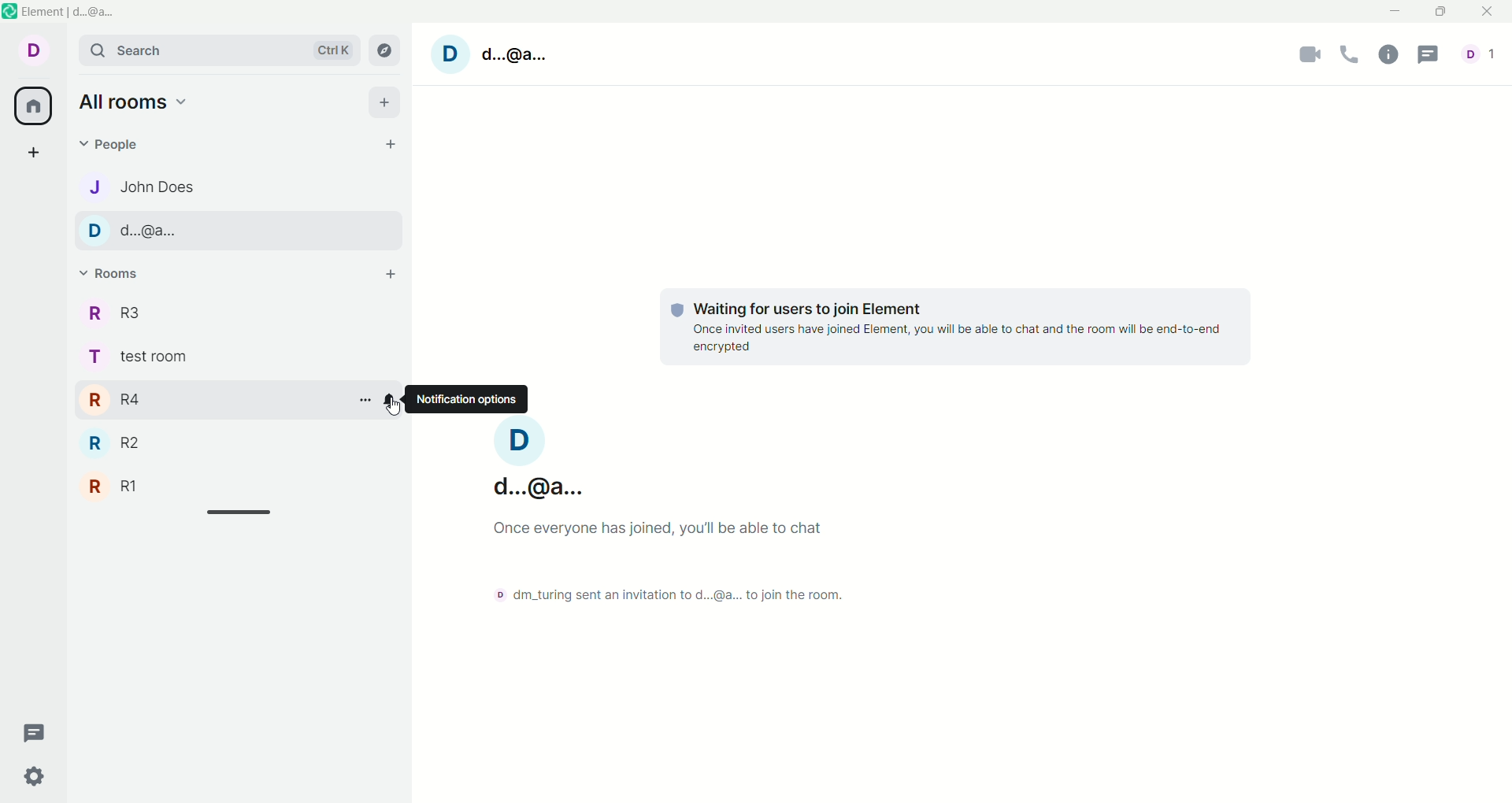  Describe the element at coordinates (390, 403) in the screenshot. I see `notification` at that location.